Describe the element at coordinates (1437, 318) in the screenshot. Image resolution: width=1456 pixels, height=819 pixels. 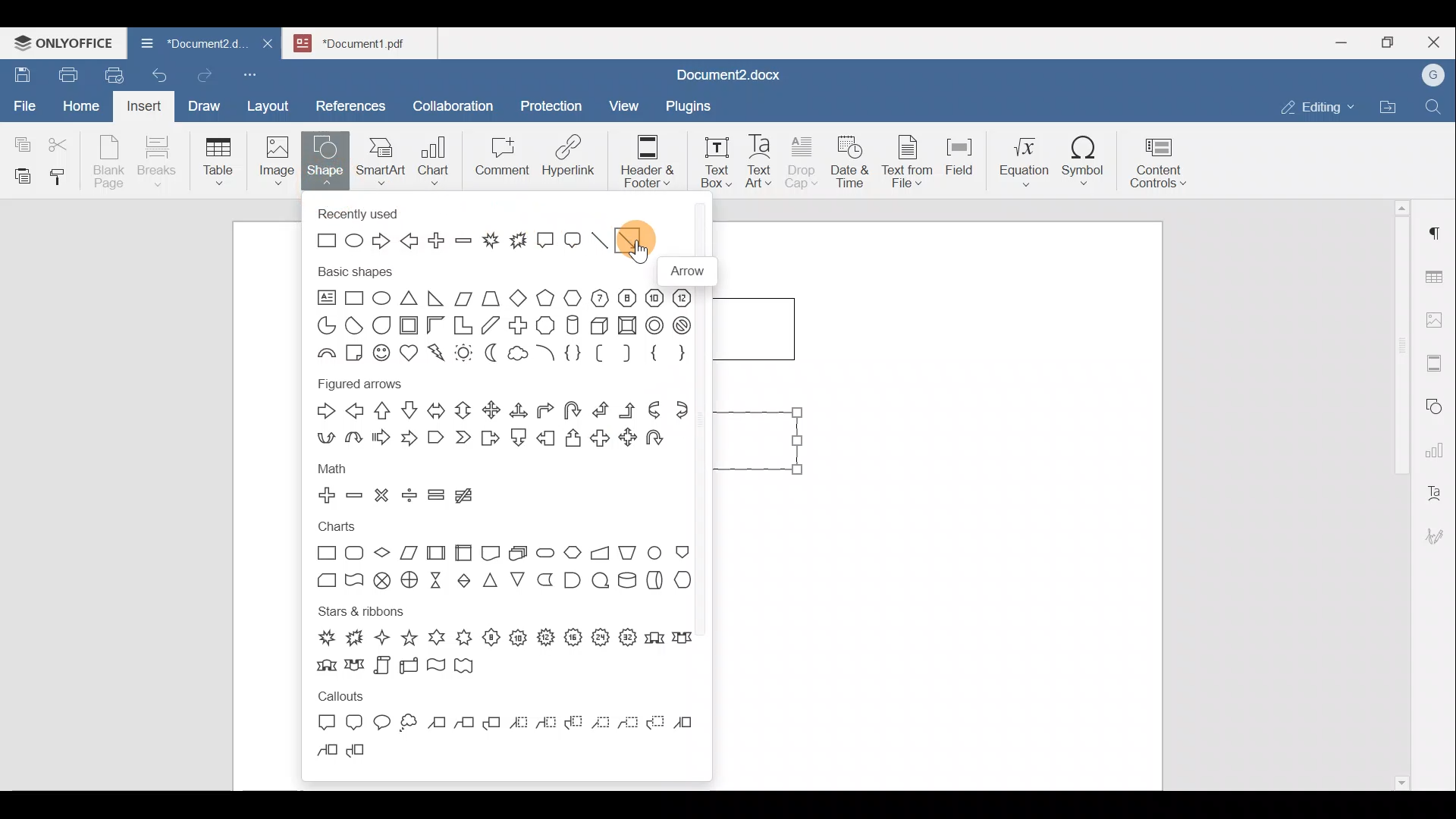
I see `Image settings` at that location.